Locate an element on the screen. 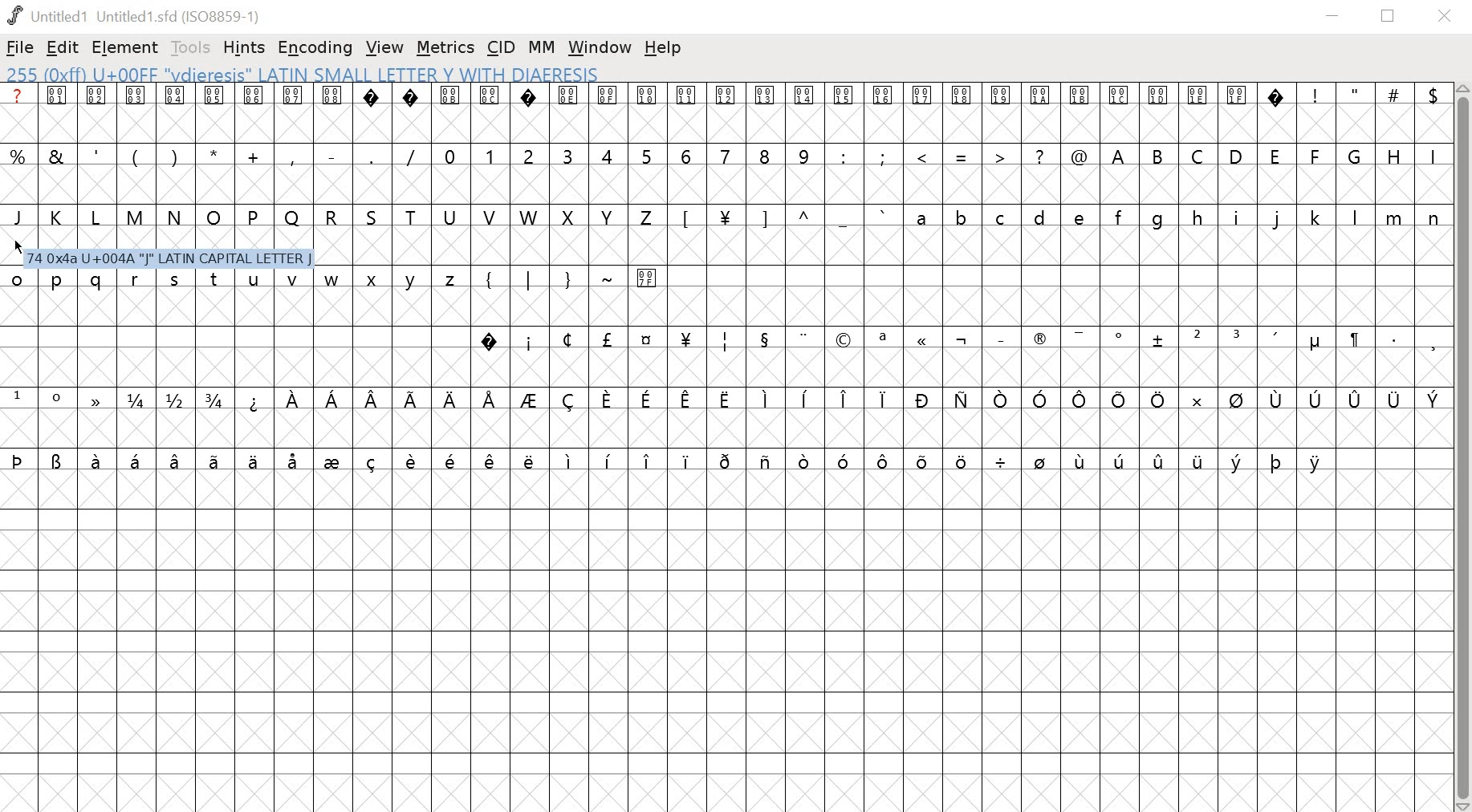 The height and width of the screenshot is (812, 1472). symbols is located at coordinates (783, 217).